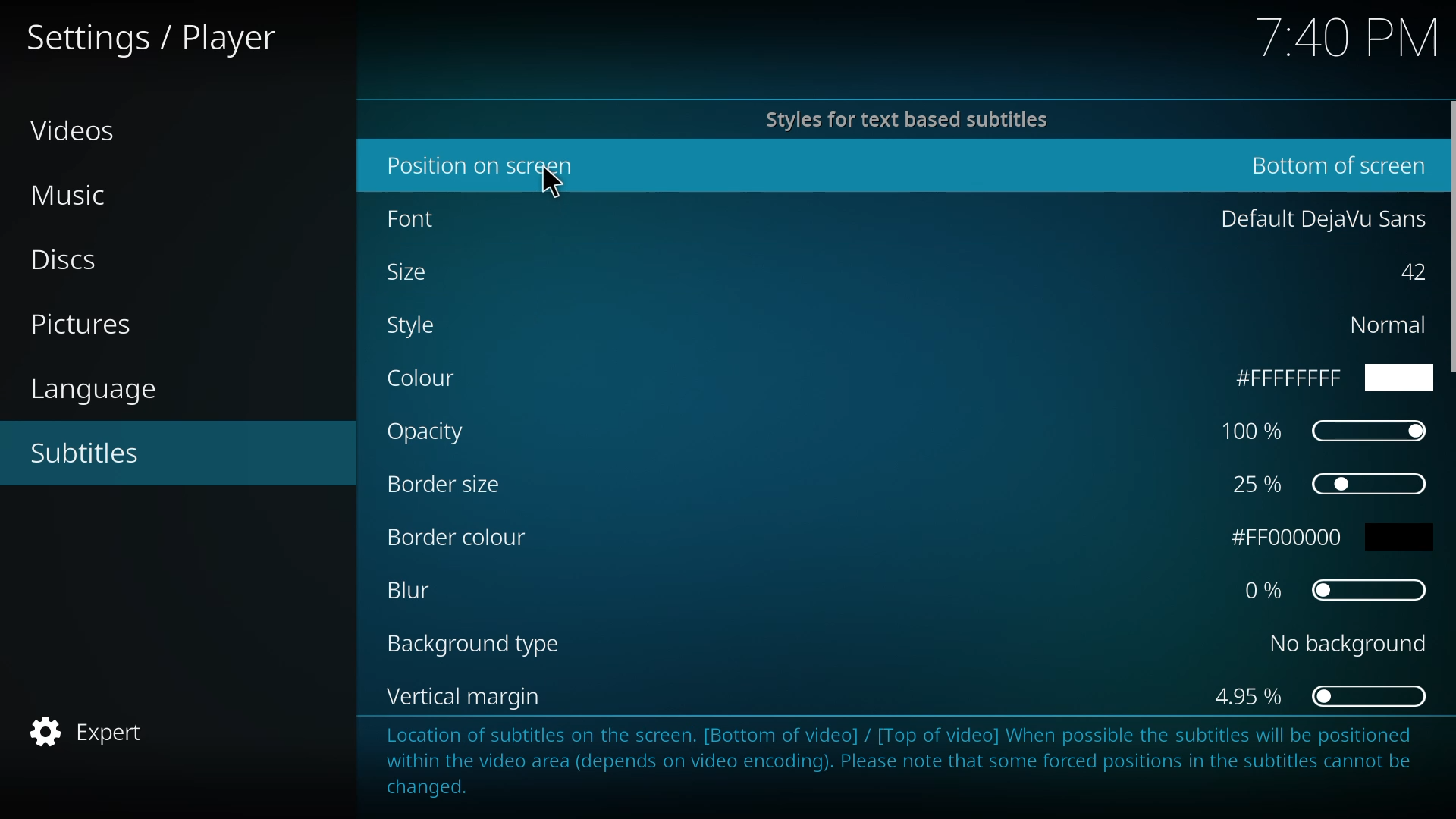 This screenshot has width=1456, height=819. What do you see at coordinates (155, 39) in the screenshot?
I see `` at bounding box center [155, 39].